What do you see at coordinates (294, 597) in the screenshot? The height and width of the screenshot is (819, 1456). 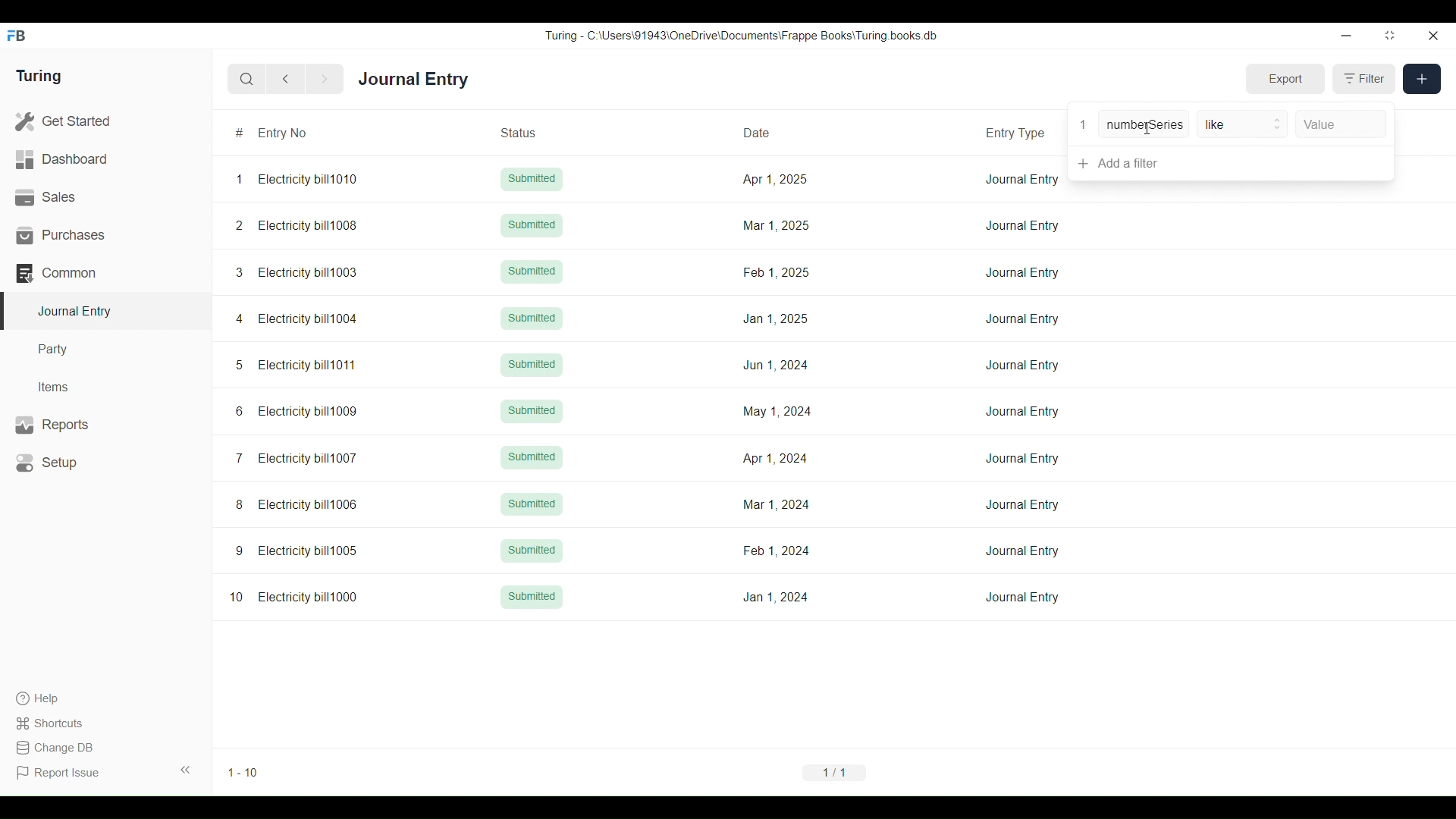 I see `10 Electricity bill1000` at bounding box center [294, 597].